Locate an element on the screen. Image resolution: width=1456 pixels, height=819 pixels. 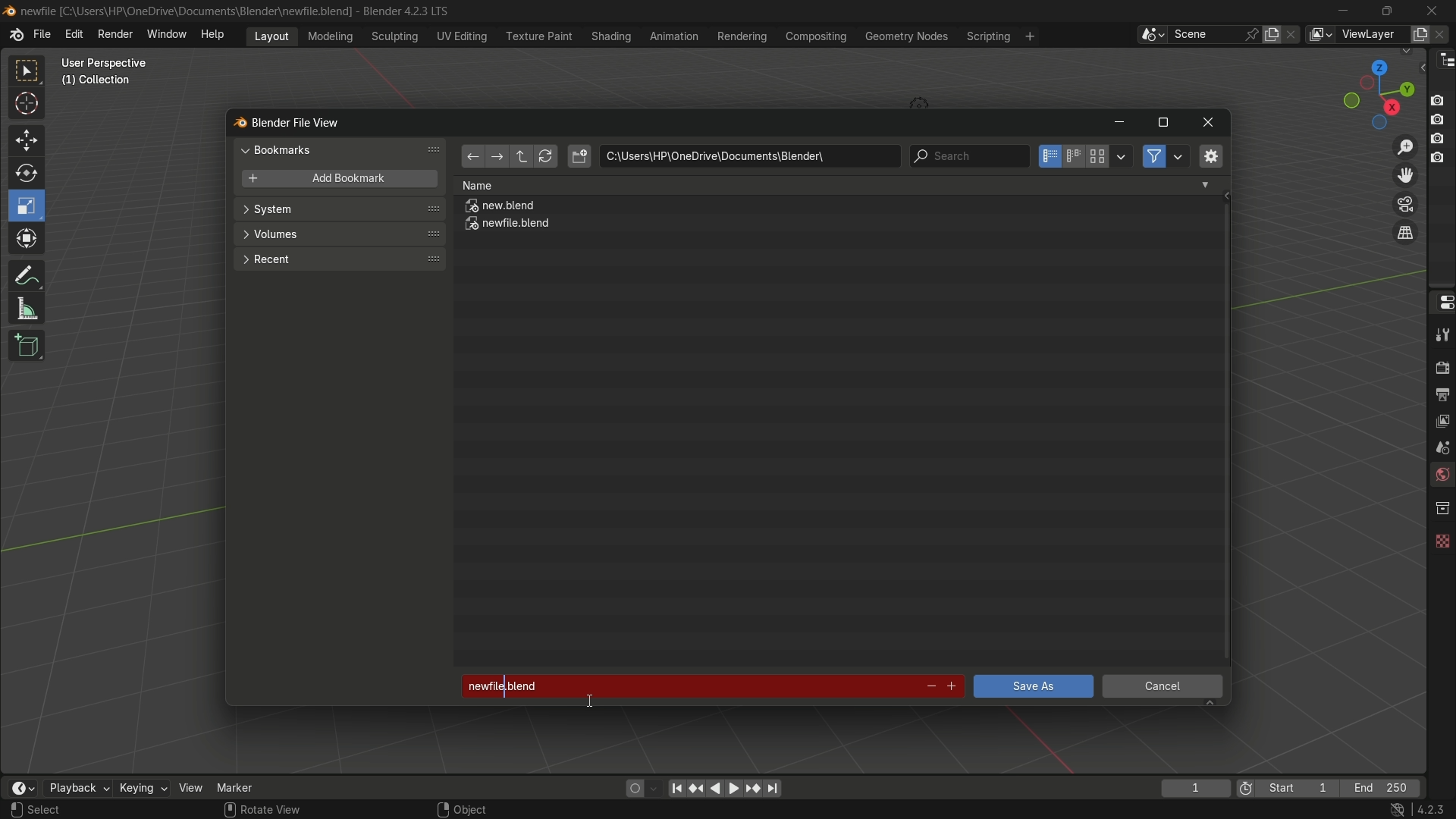
Collection is located at coordinates (99, 83).